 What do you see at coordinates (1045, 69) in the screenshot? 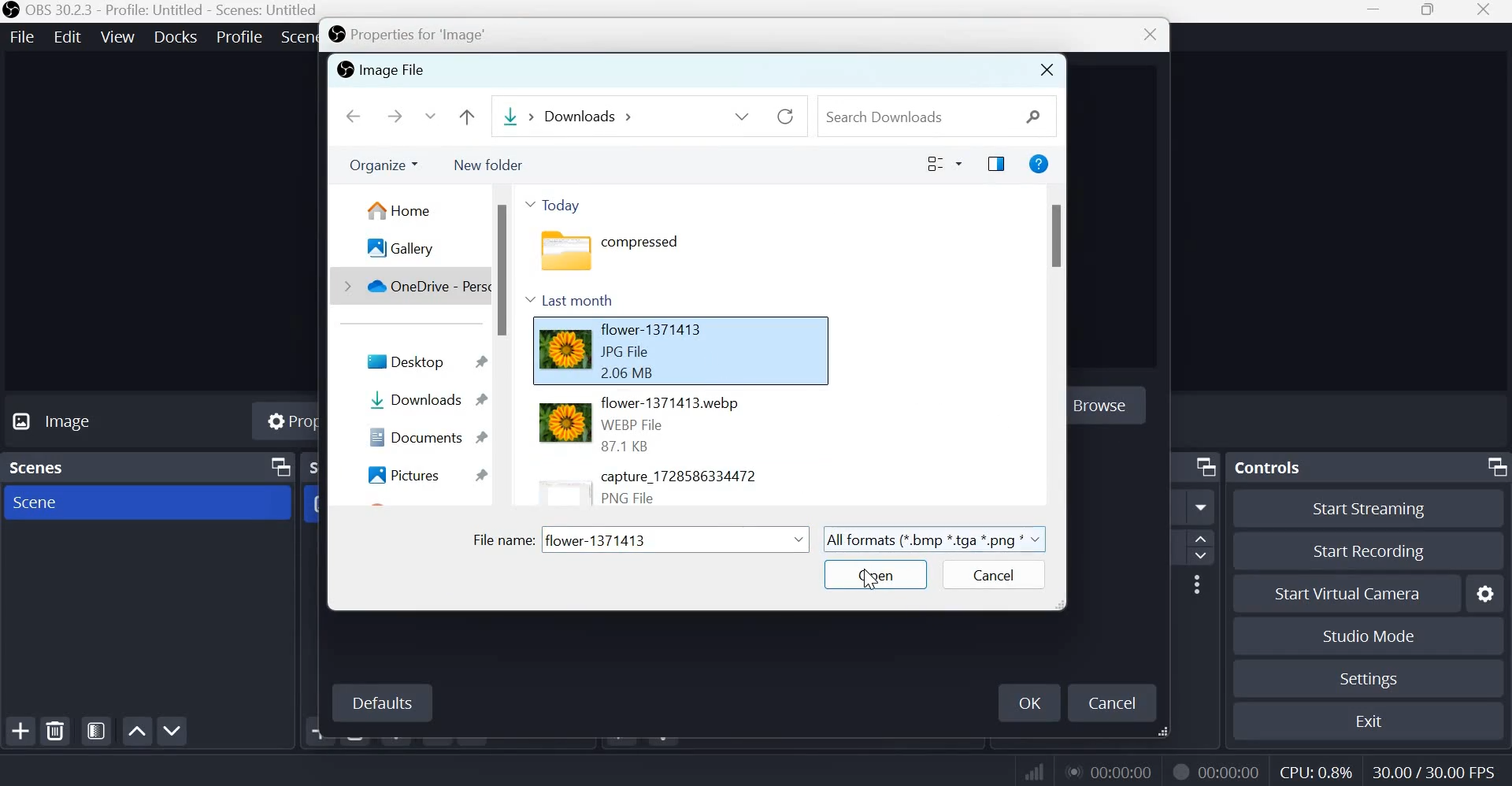
I see `close` at bounding box center [1045, 69].